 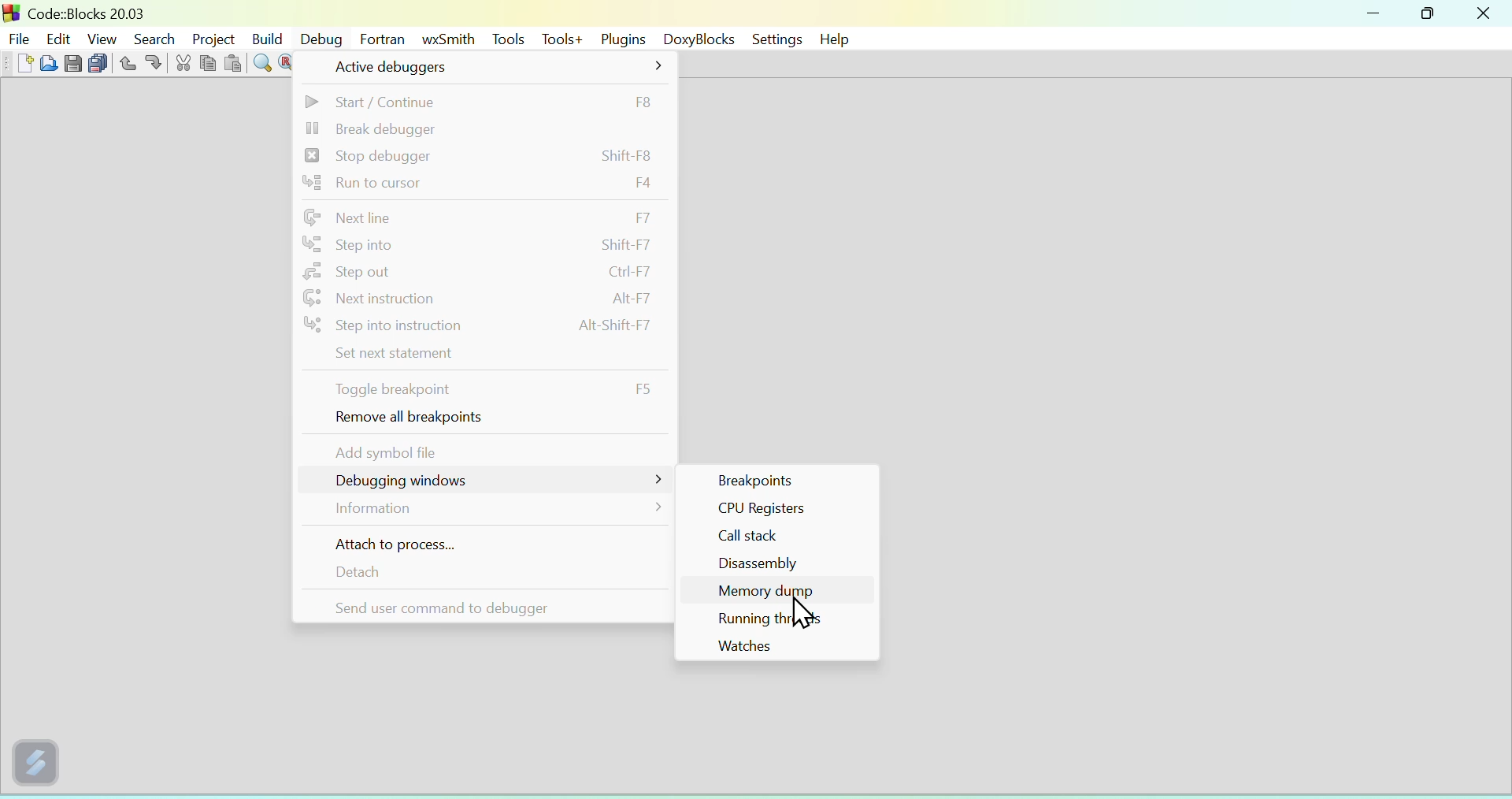 What do you see at coordinates (382, 37) in the screenshot?
I see `Fortran` at bounding box center [382, 37].